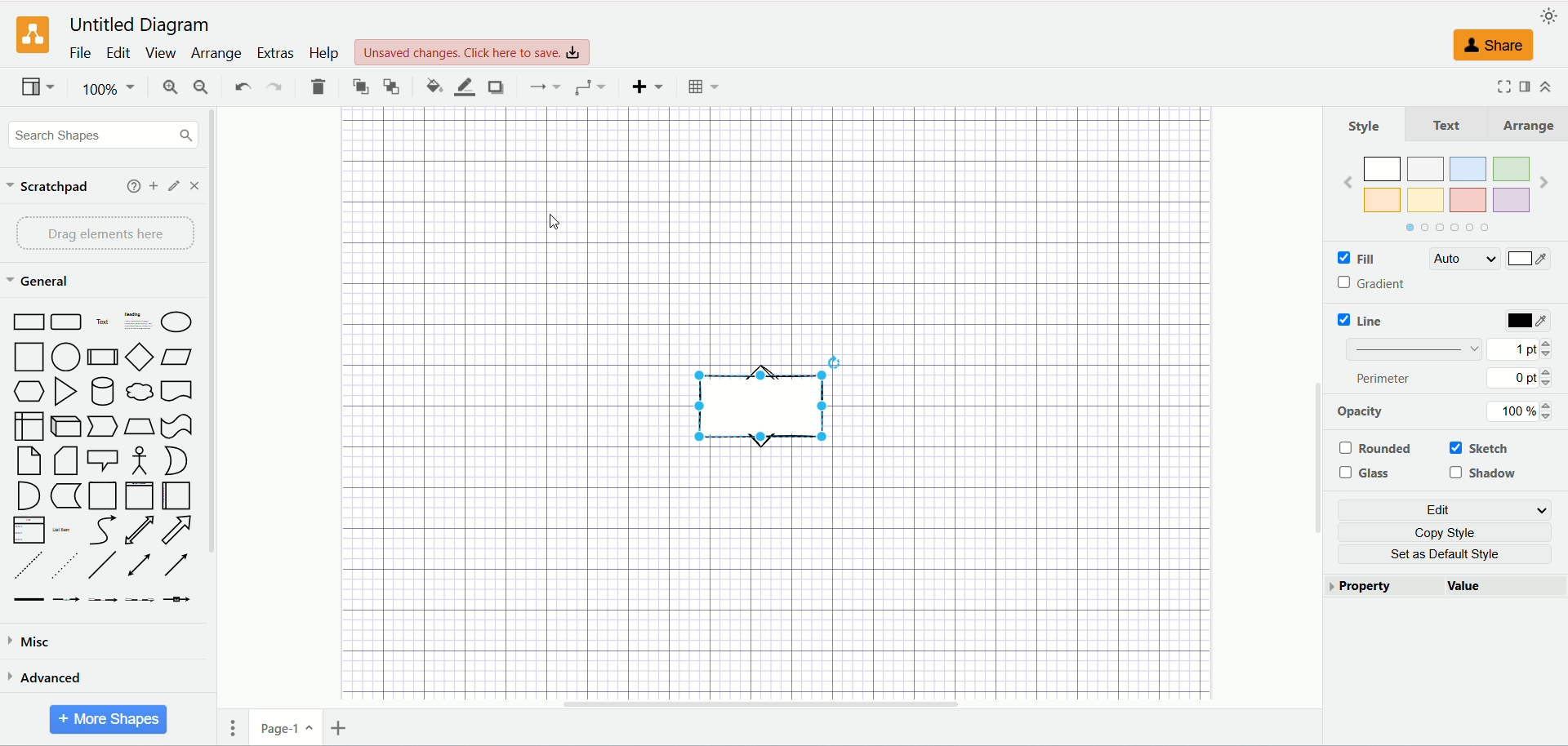 This screenshot has height=746, width=1568. What do you see at coordinates (28, 355) in the screenshot?
I see `Square` at bounding box center [28, 355].